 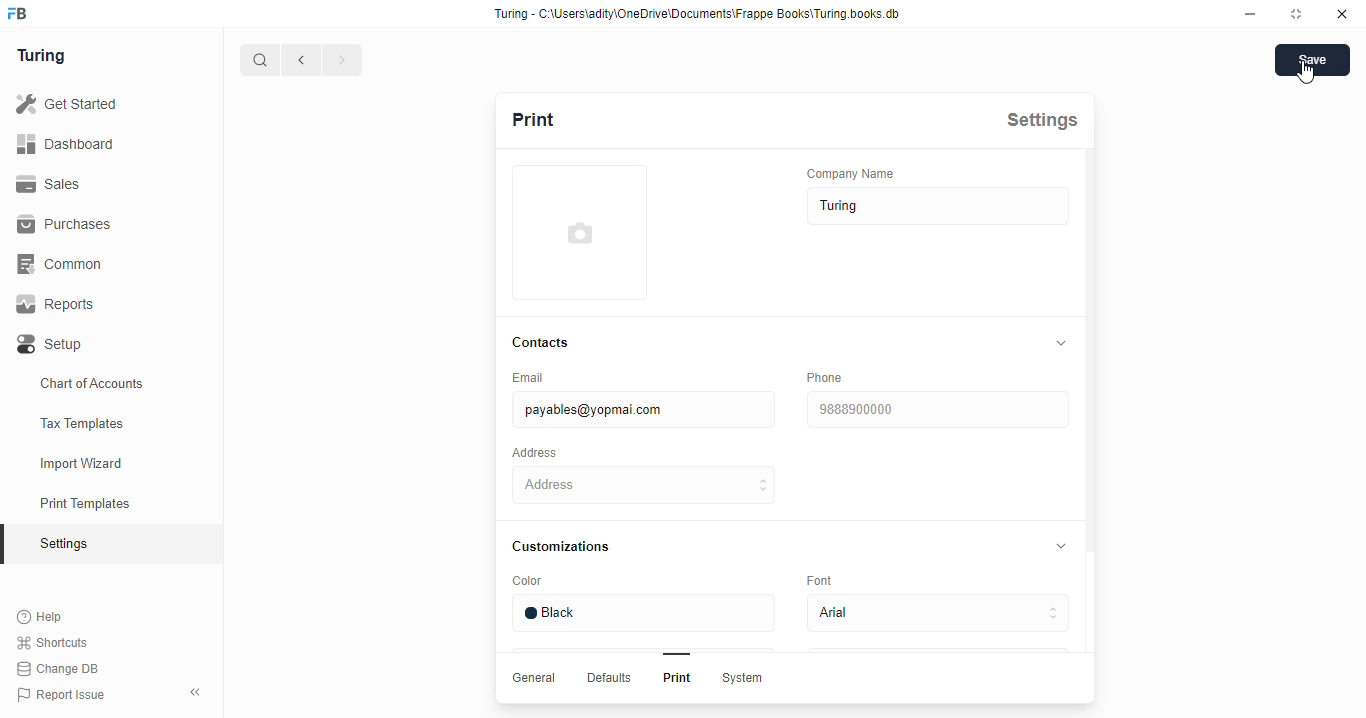 I want to click on Purchases, so click(x=64, y=224).